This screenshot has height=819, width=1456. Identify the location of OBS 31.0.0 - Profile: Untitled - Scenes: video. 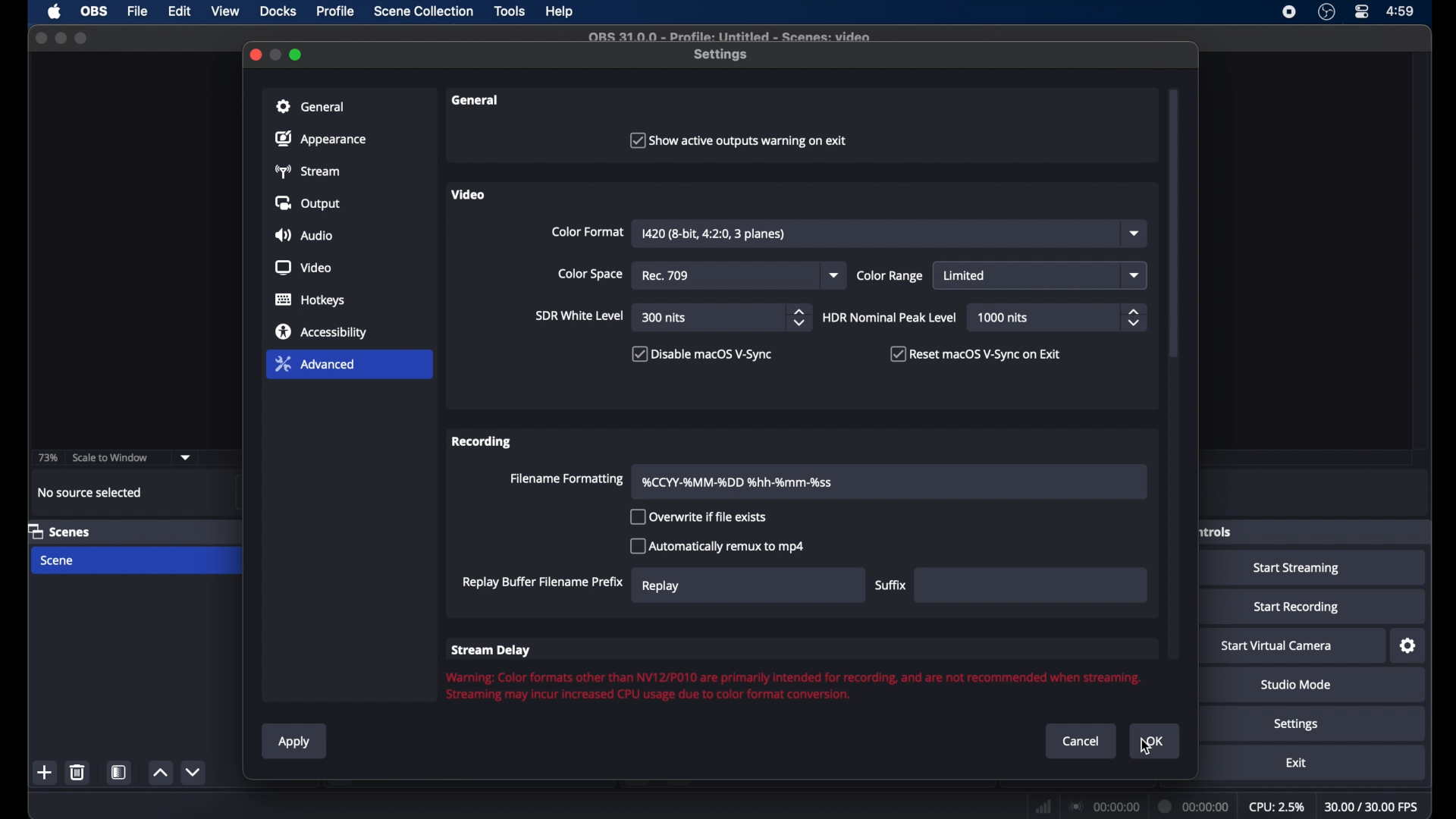
(733, 36).